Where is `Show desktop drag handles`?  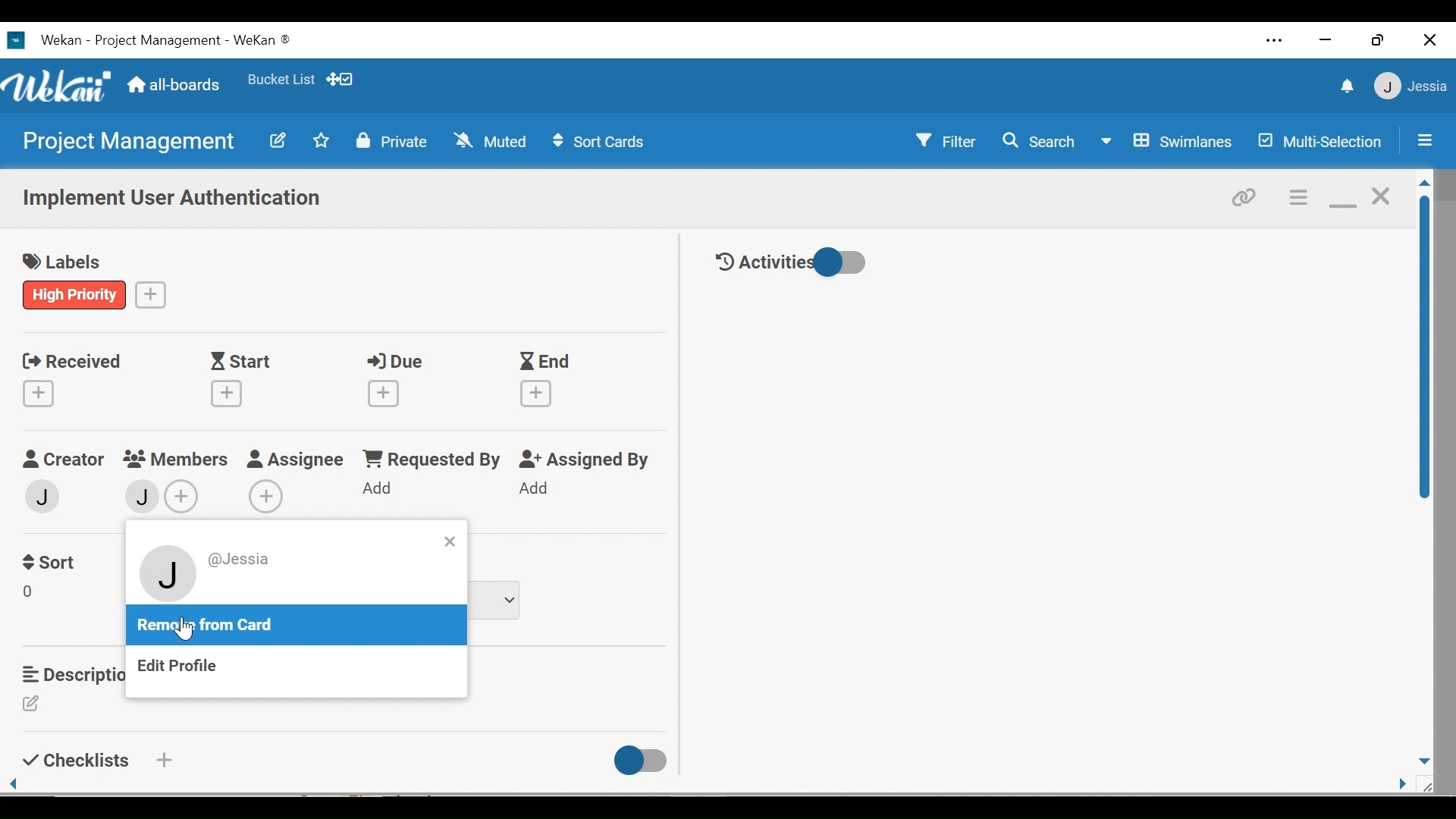 Show desktop drag handles is located at coordinates (344, 80).